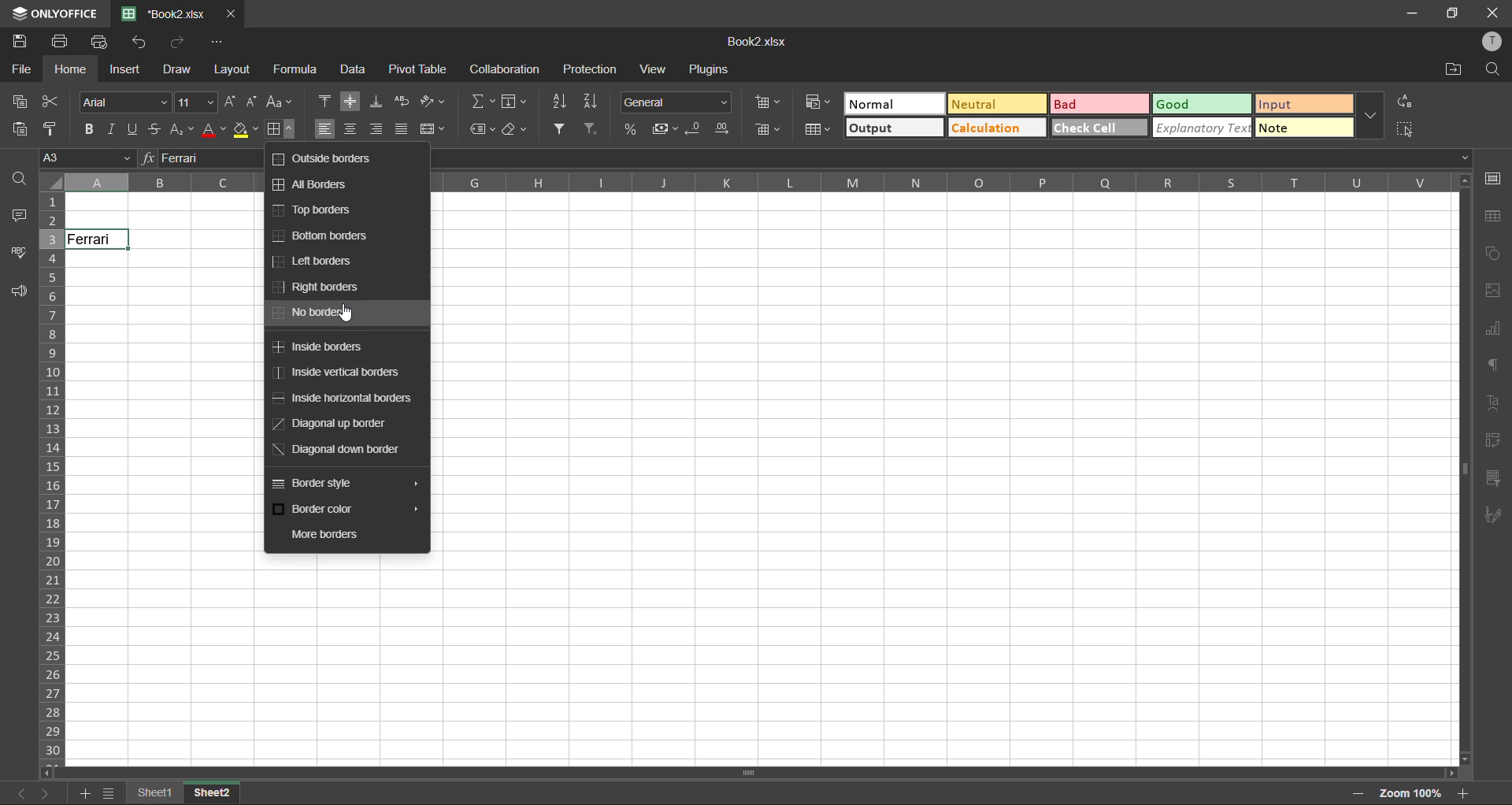 This screenshot has width=1512, height=805. Describe the element at coordinates (675, 101) in the screenshot. I see `number format` at that location.